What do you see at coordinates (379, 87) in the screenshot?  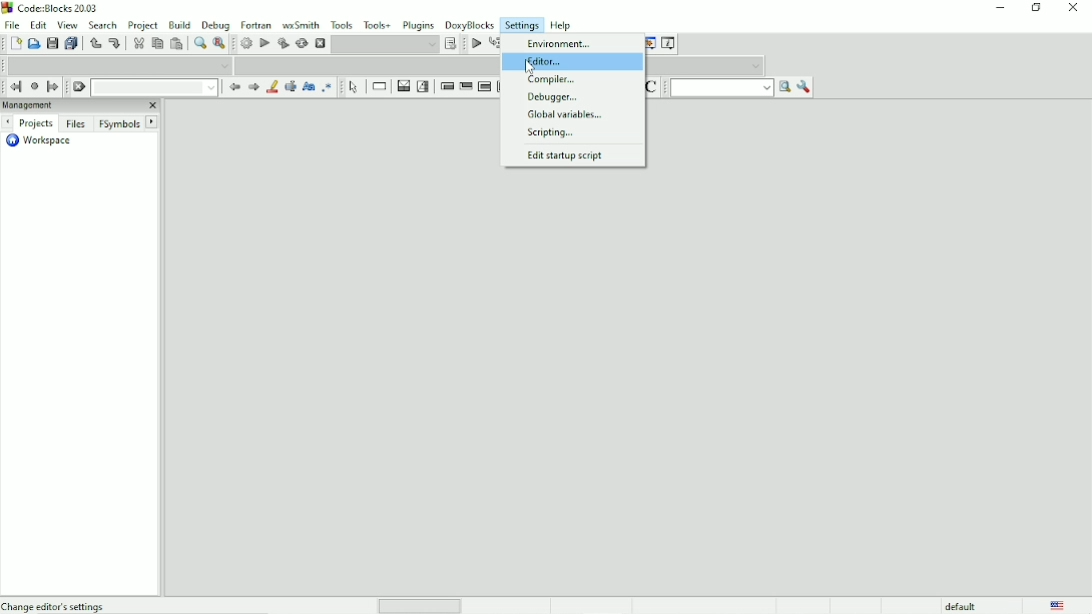 I see `Instruction` at bounding box center [379, 87].